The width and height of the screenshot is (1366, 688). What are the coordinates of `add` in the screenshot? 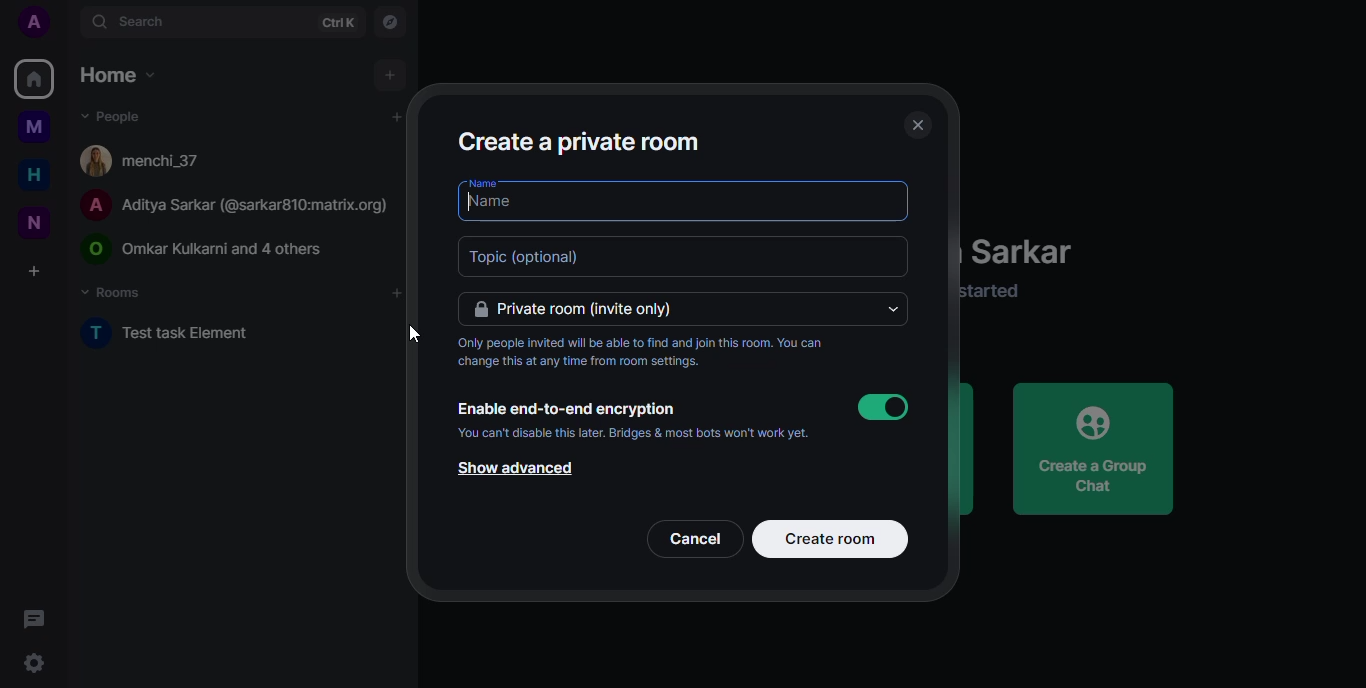 It's located at (391, 73).